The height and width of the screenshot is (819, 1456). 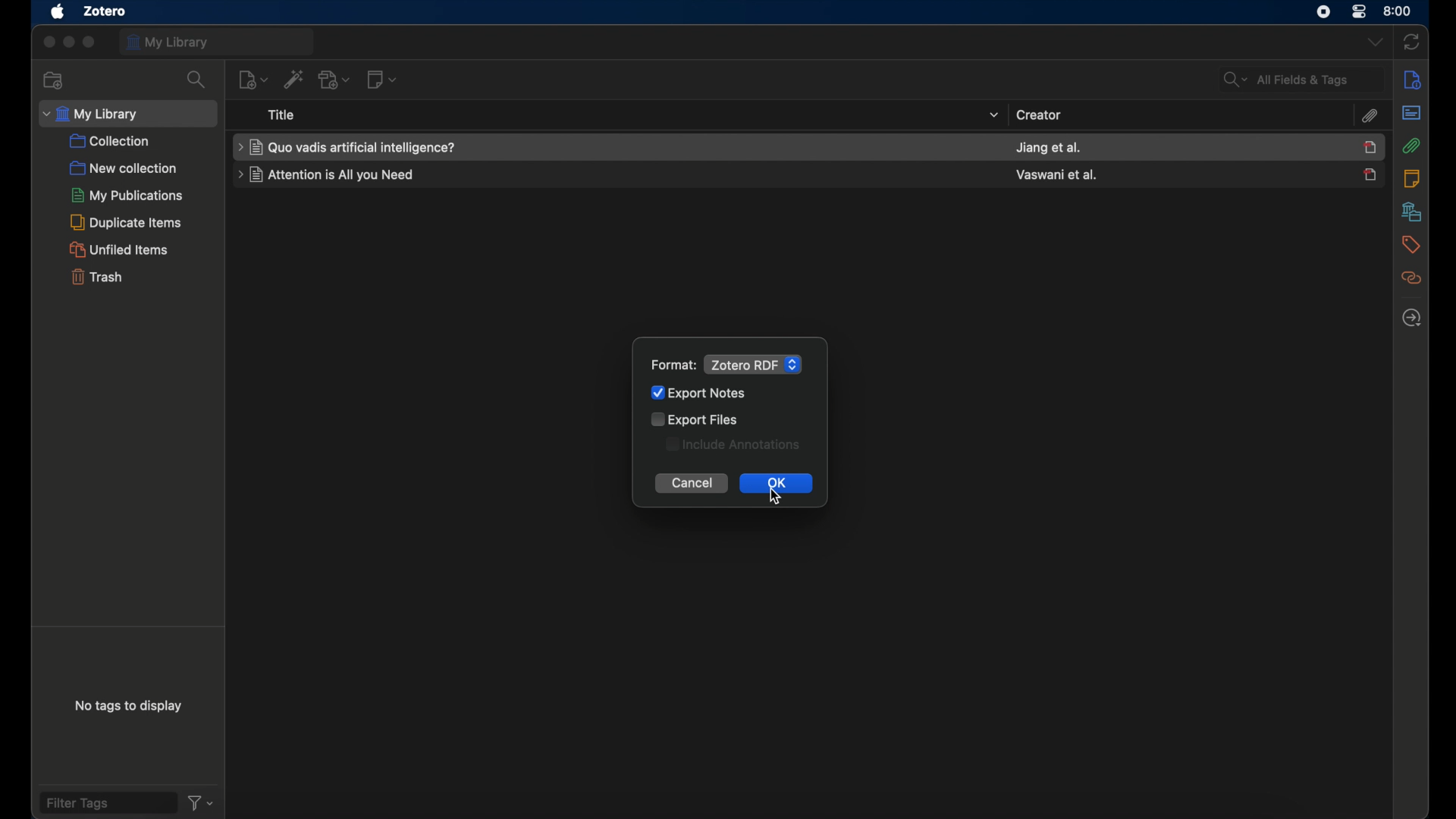 What do you see at coordinates (1411, 318) in the screenshot?
I see `locate` at bounding box center [1411, 318].